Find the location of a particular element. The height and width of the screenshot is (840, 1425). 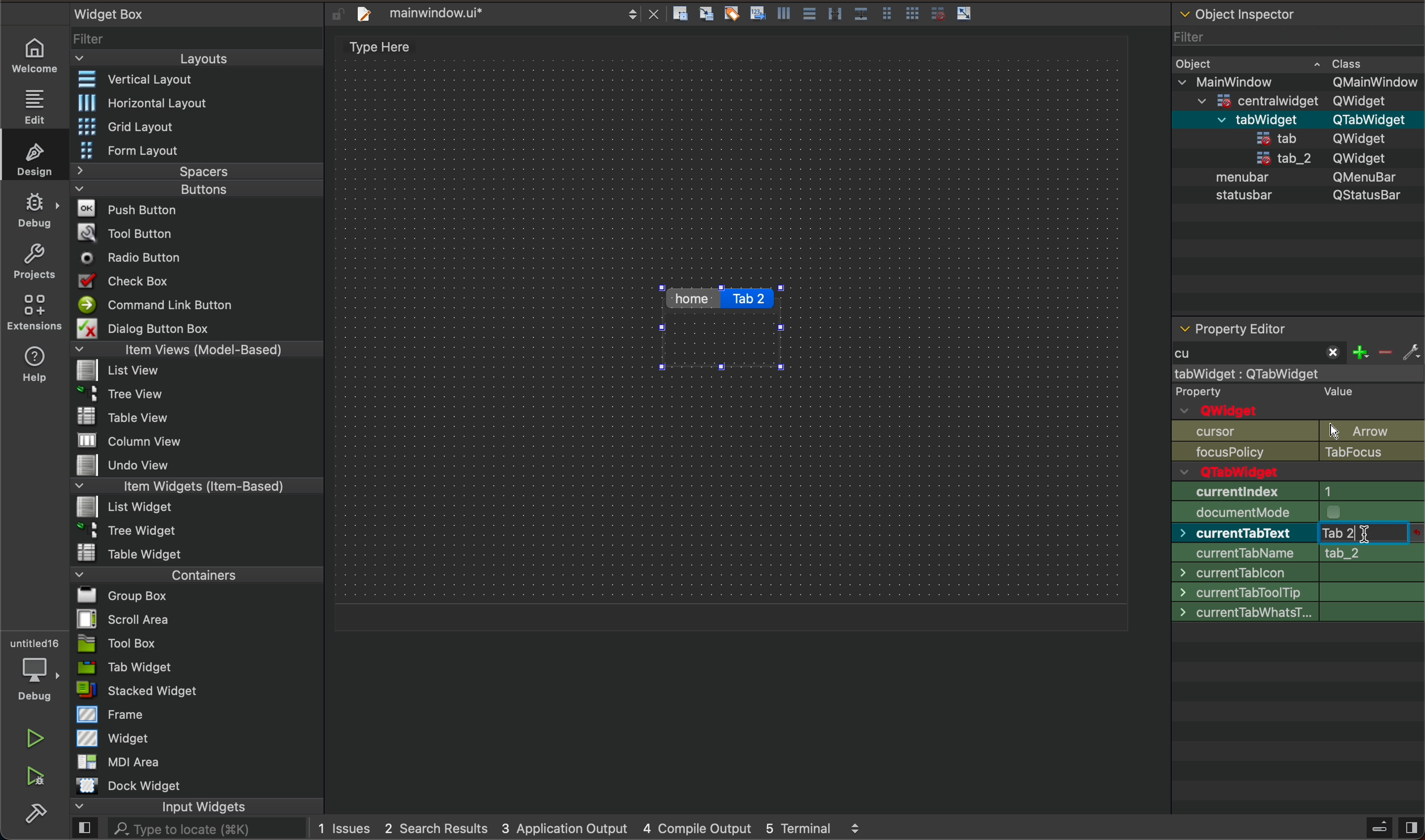

QStatusBar is located at coordinates (1356, 195).